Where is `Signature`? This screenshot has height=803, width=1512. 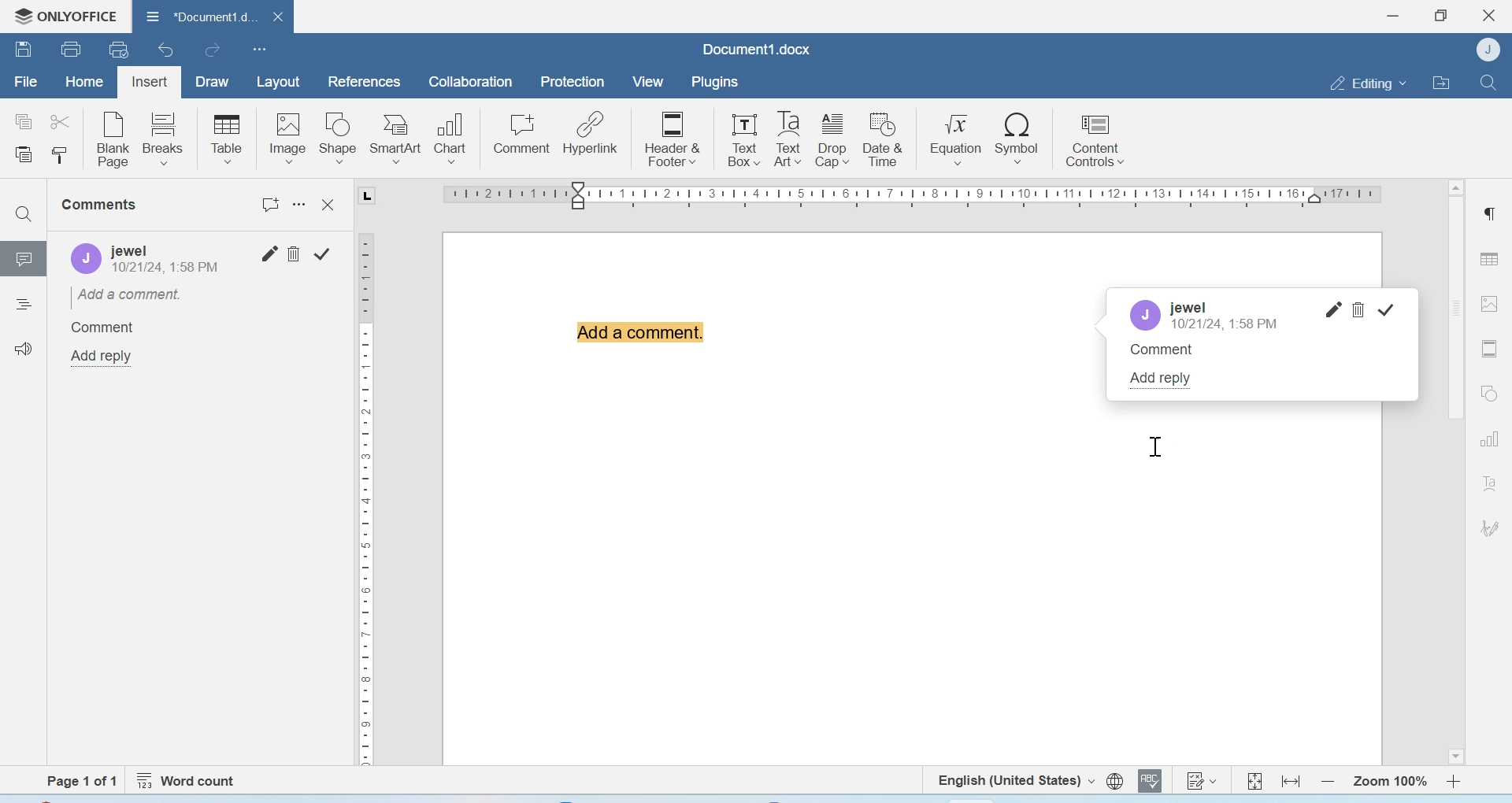
Signature is located at coordinates (1491, 528).